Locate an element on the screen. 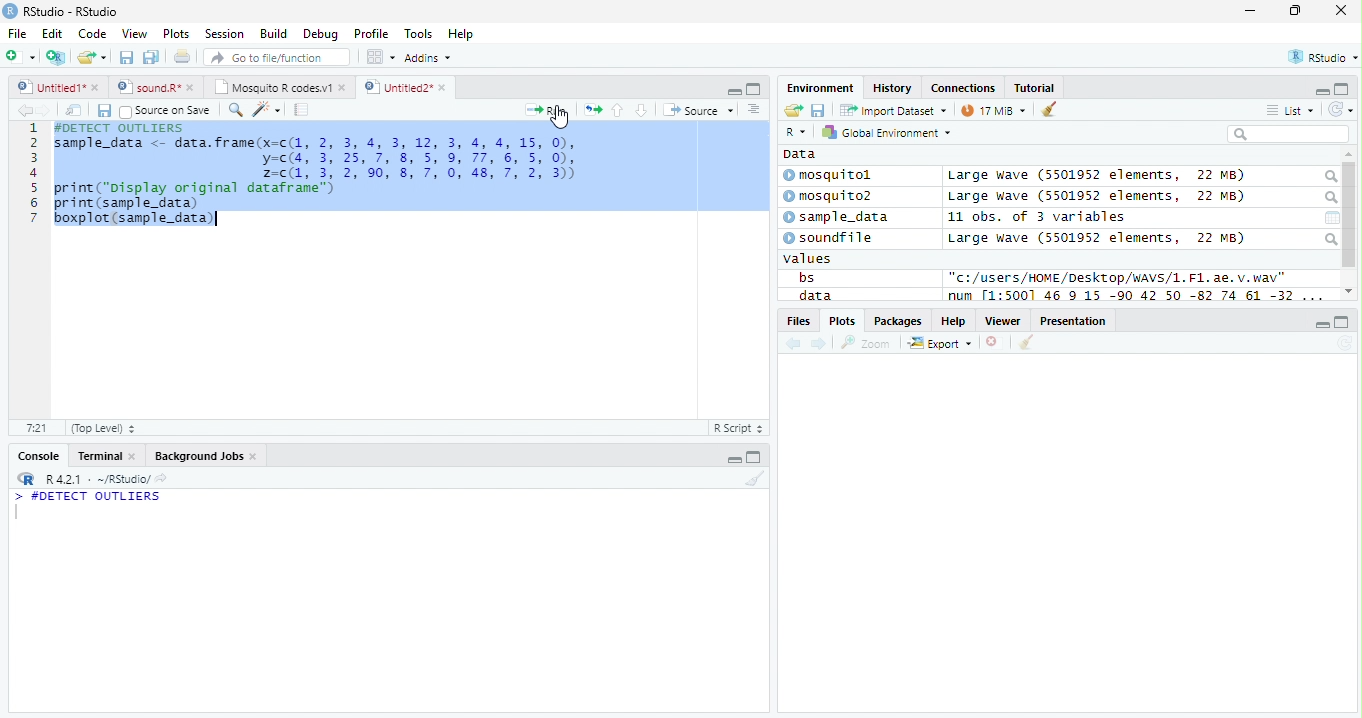 The image size is (1362, 718). go forward is located at coordinates (820, 345).